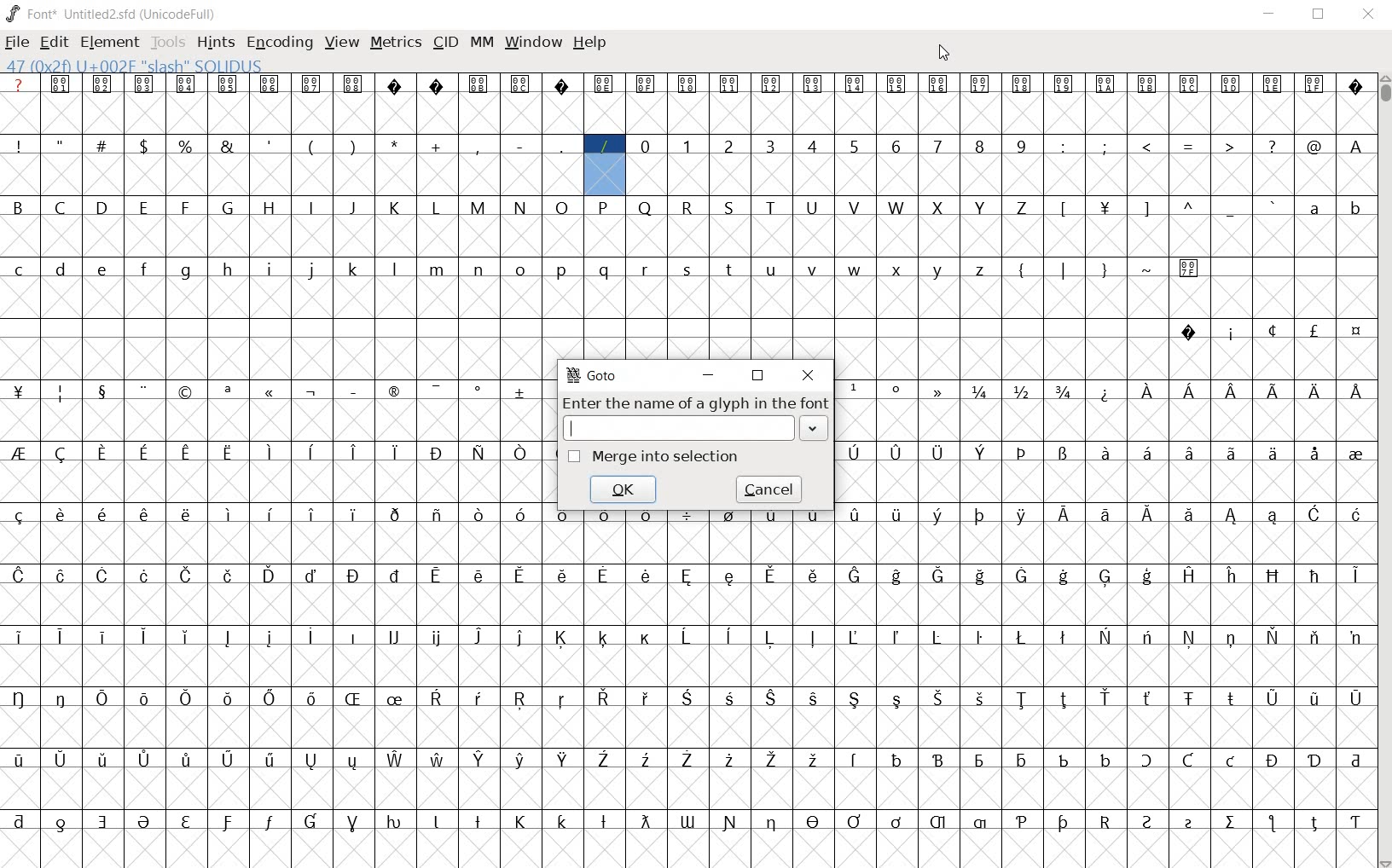  I want to click on glyph, so click(519, 207).